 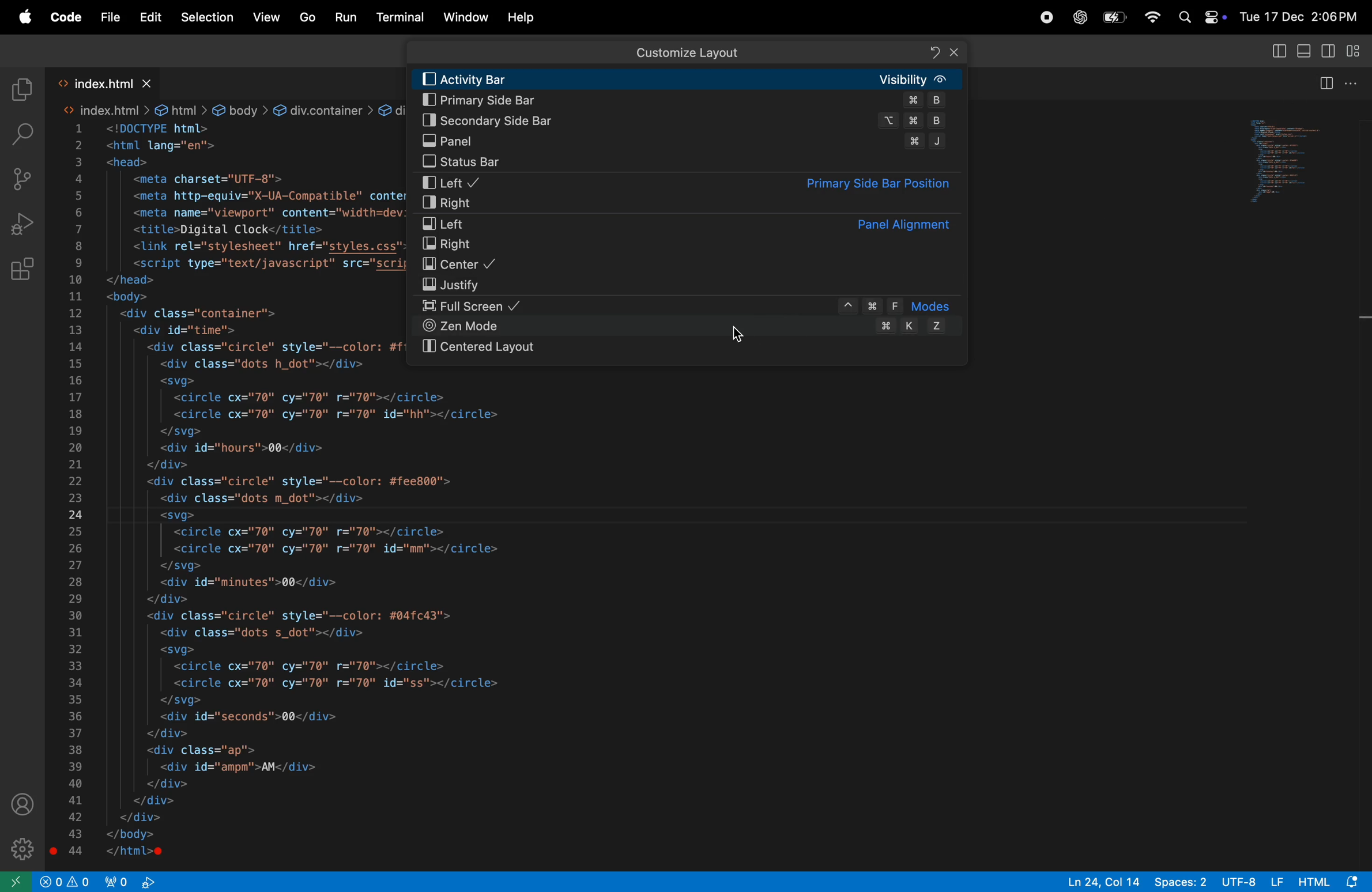 What do you see at coordinates (65, 881) in the screenshot?
I see `no problems` at bounding box center [65, 881].